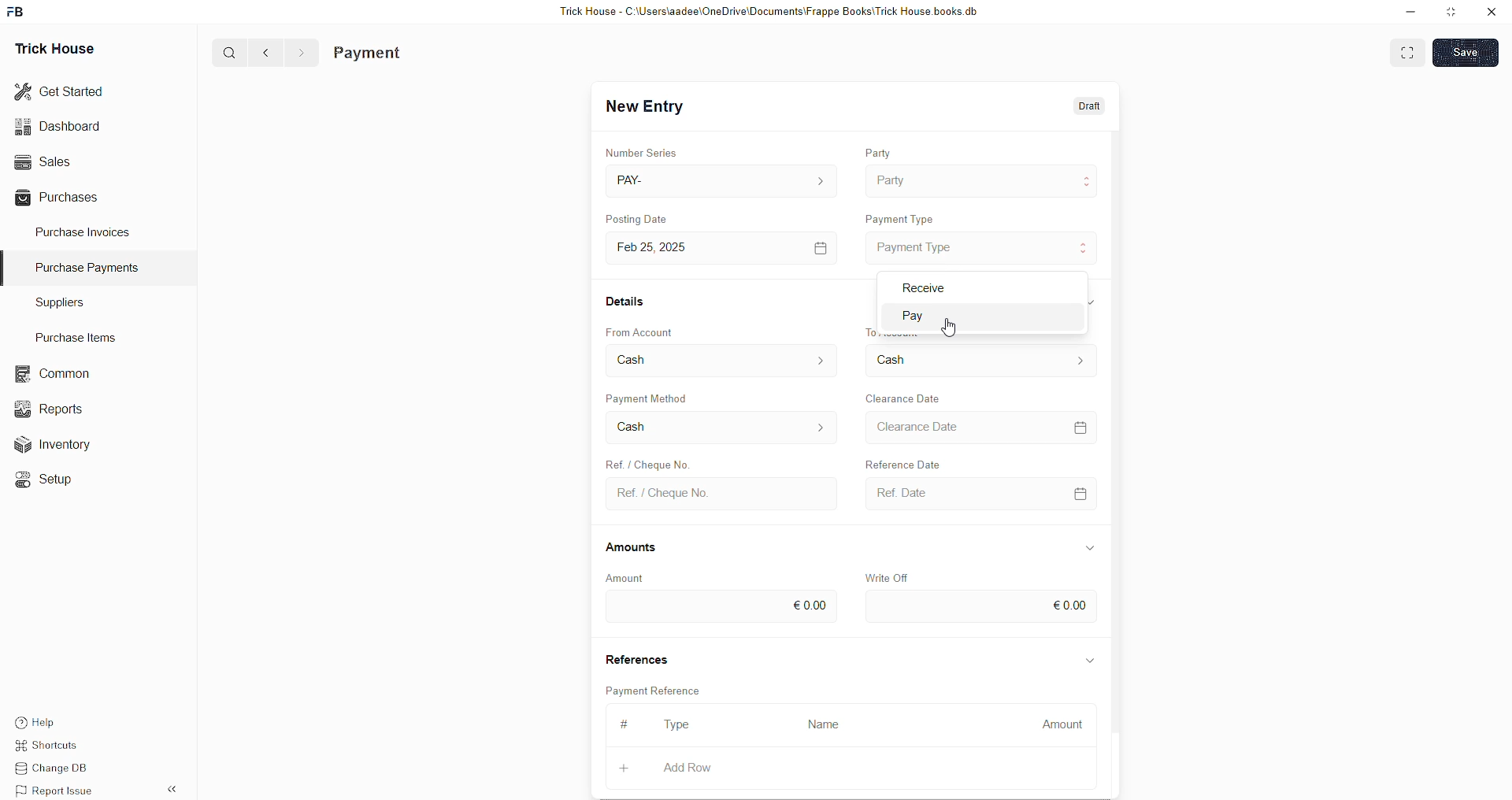 Image resolution: width=1512 pixels, height=800 pixels. I want to click on Ref. / Cheque No., so click(663, 492).